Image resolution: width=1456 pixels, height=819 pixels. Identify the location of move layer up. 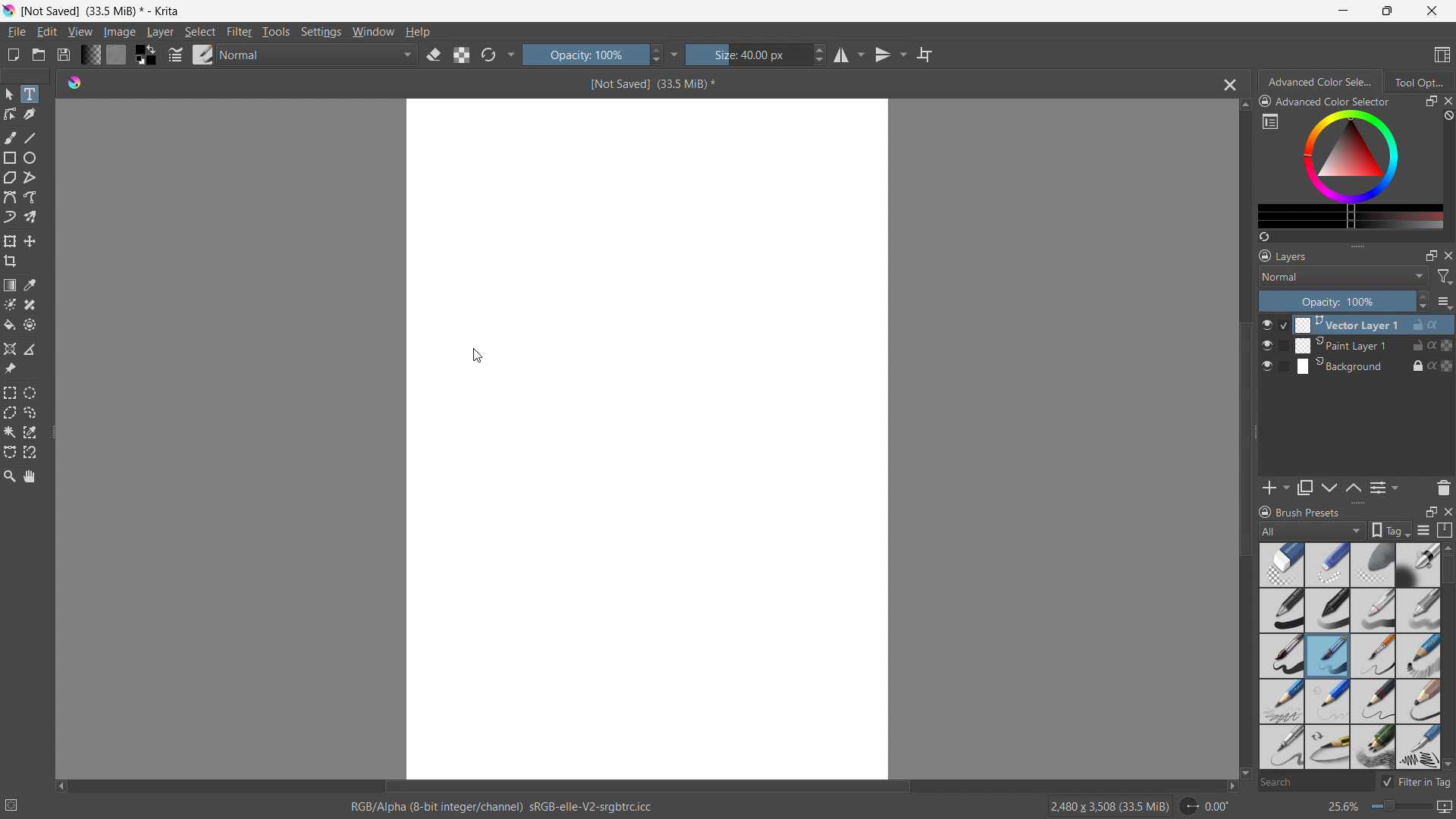
(1330, 488).